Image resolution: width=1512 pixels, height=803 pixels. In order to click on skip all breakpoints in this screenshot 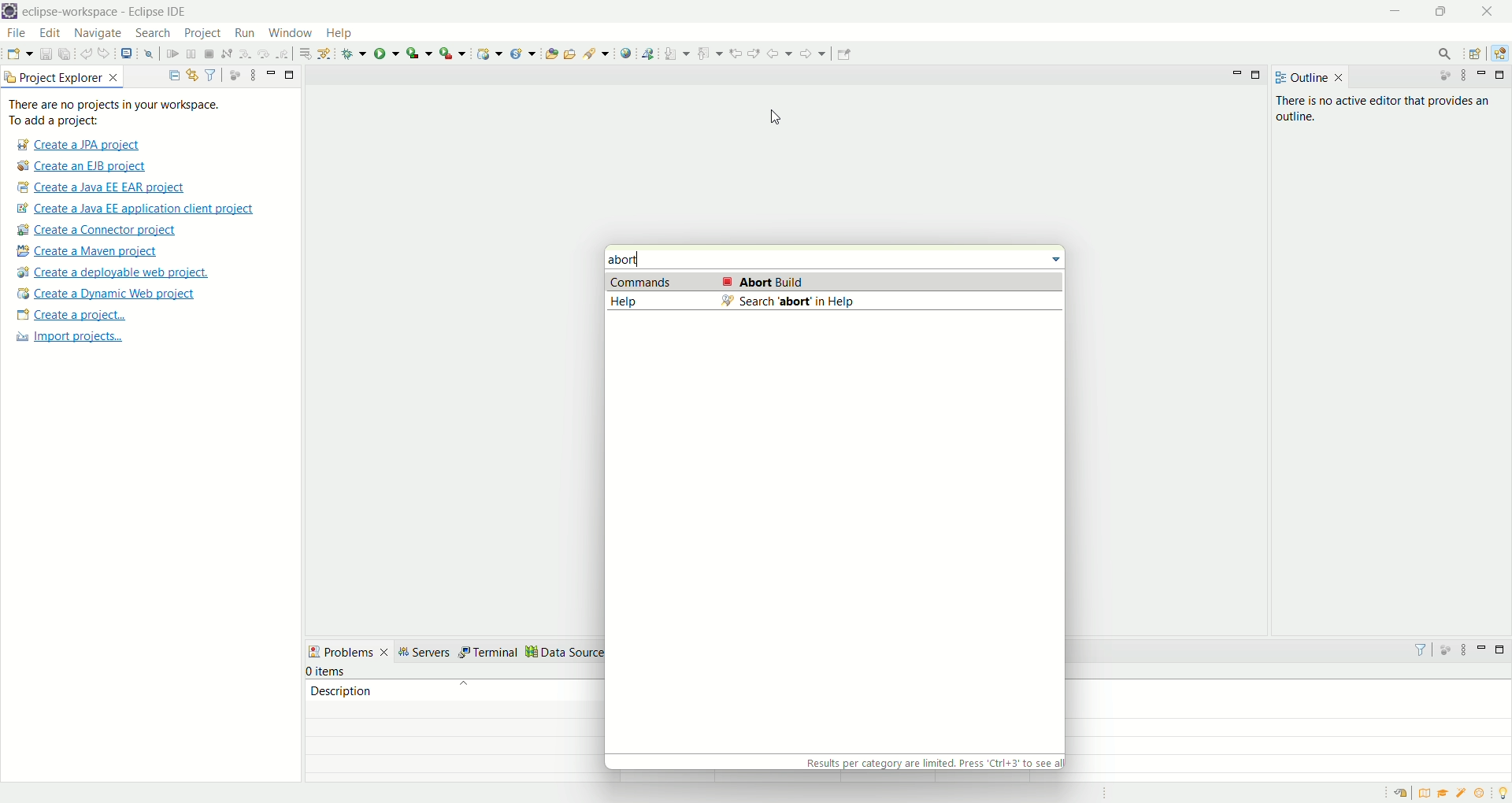, I will do `click(148, 55)`.